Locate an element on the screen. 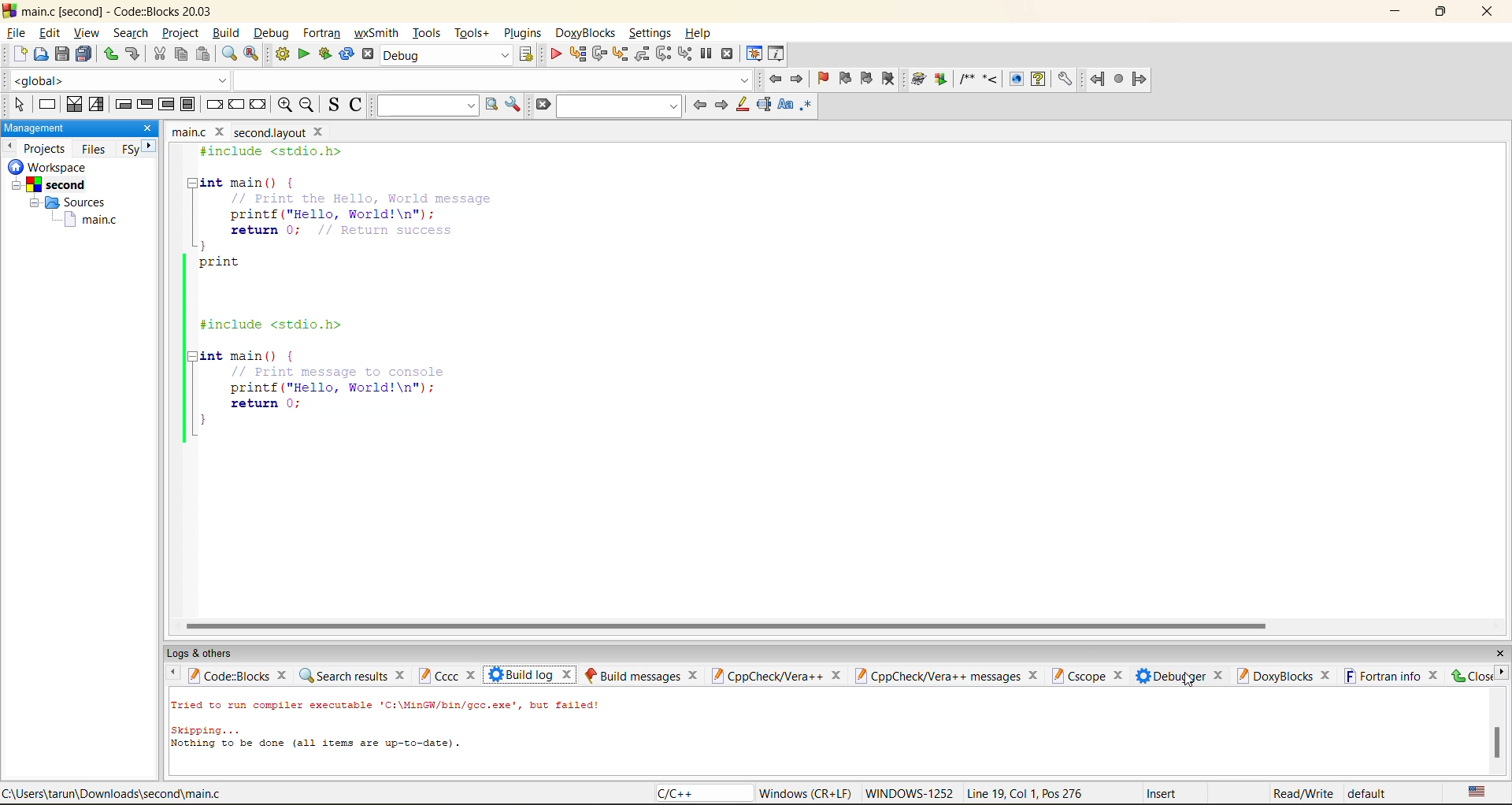 The width and height of the screenshot is (1512, 805). close is located at coordinates (1492, 14).